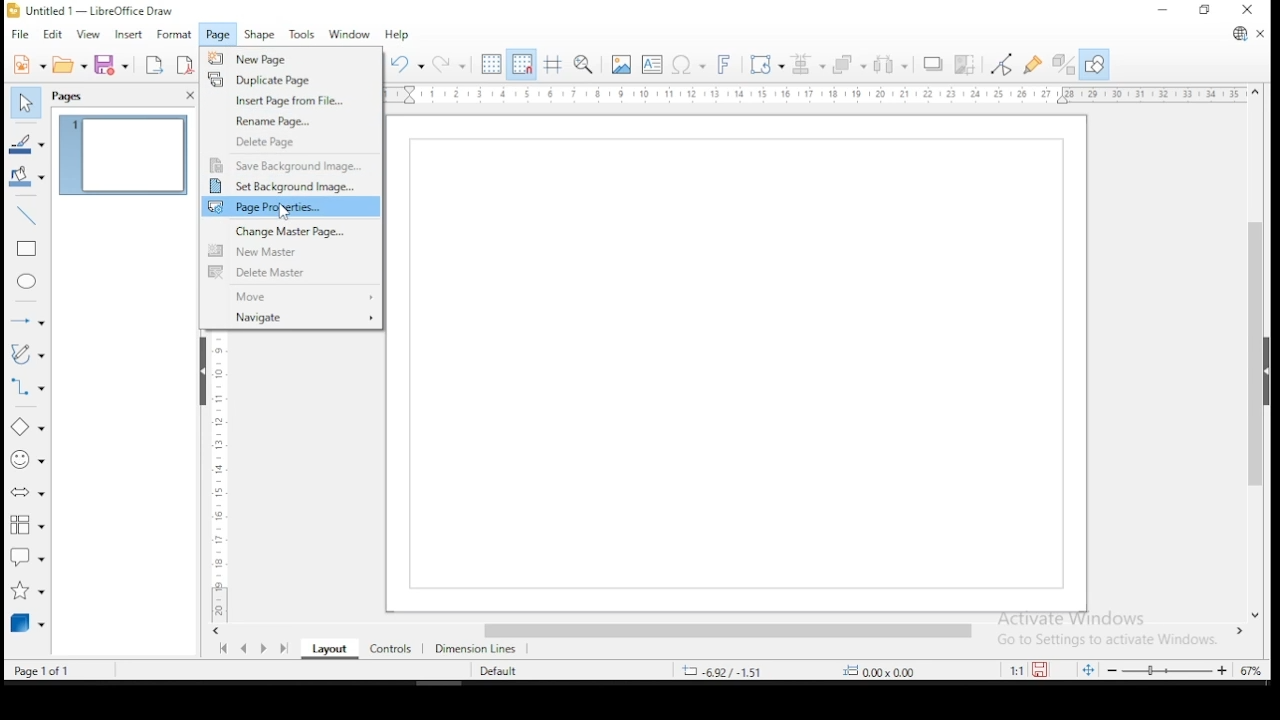 The height and width of the screenshot is (720, 1280). I want to click on open, so click(68, 65).